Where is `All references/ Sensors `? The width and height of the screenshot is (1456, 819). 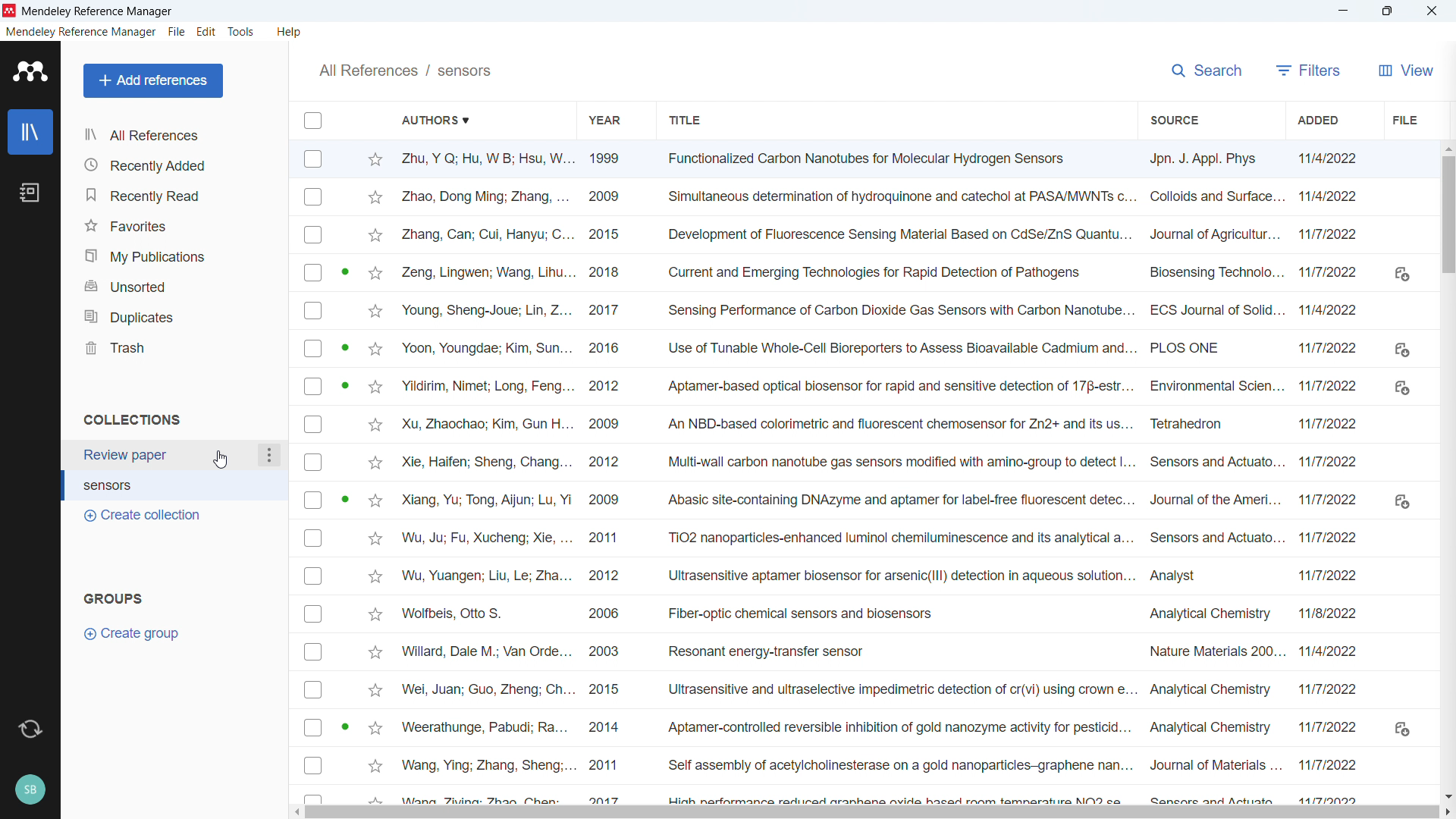
All references/ Sensors  is located at coordinates (405, 69).